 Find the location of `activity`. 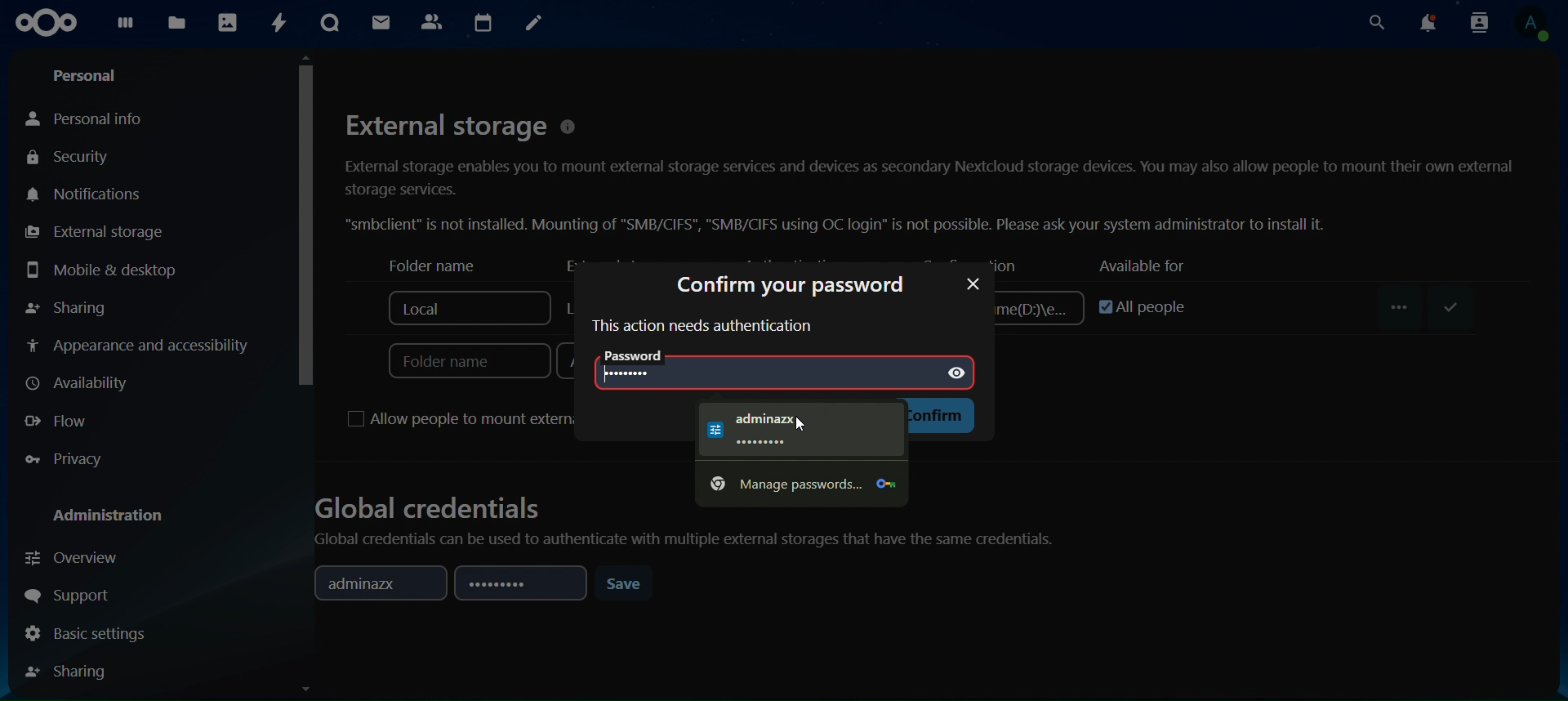

activity is located at coordinates (275, 24).